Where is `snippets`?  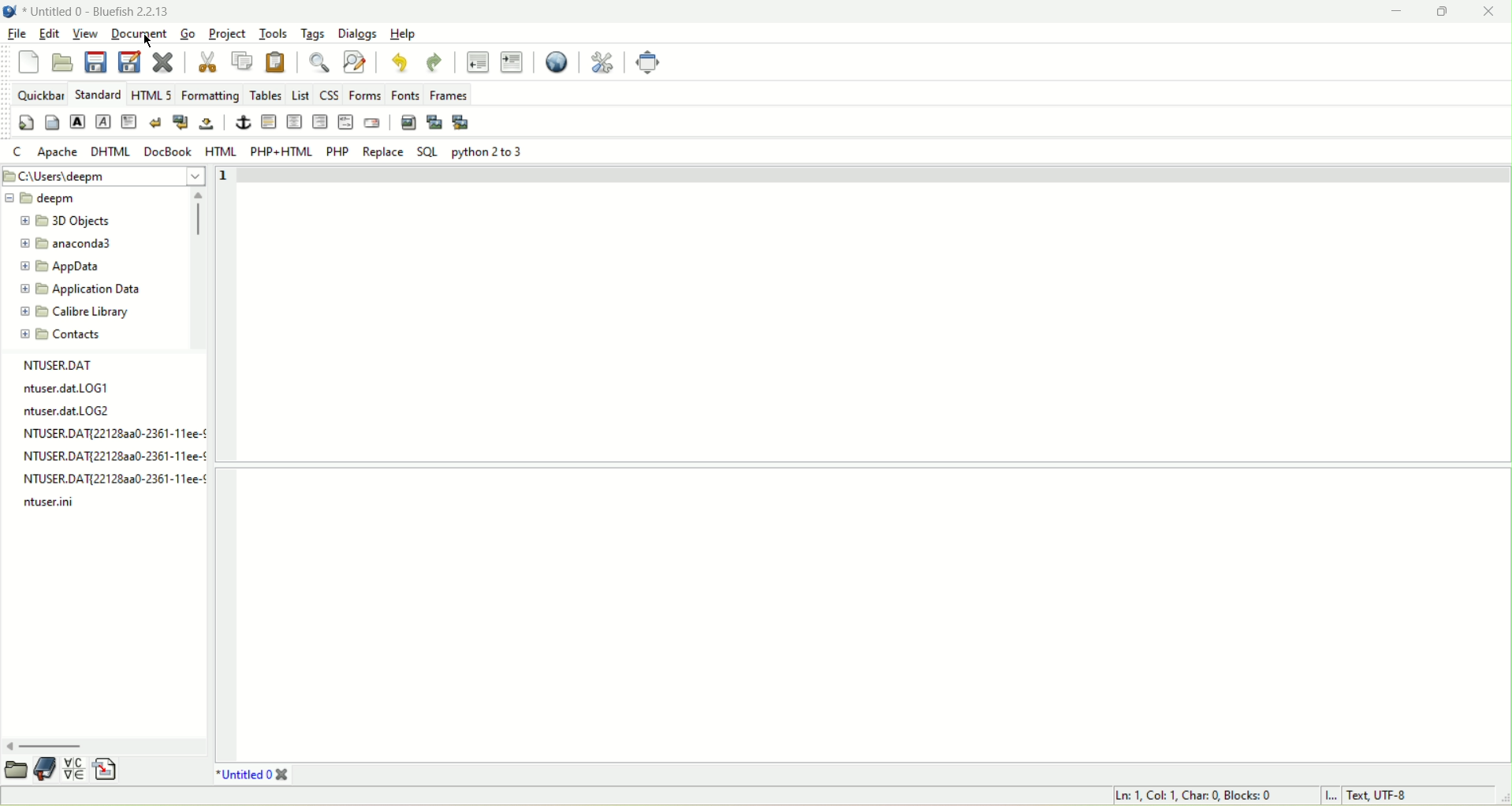 snippets is located at coordinates (112, 771).